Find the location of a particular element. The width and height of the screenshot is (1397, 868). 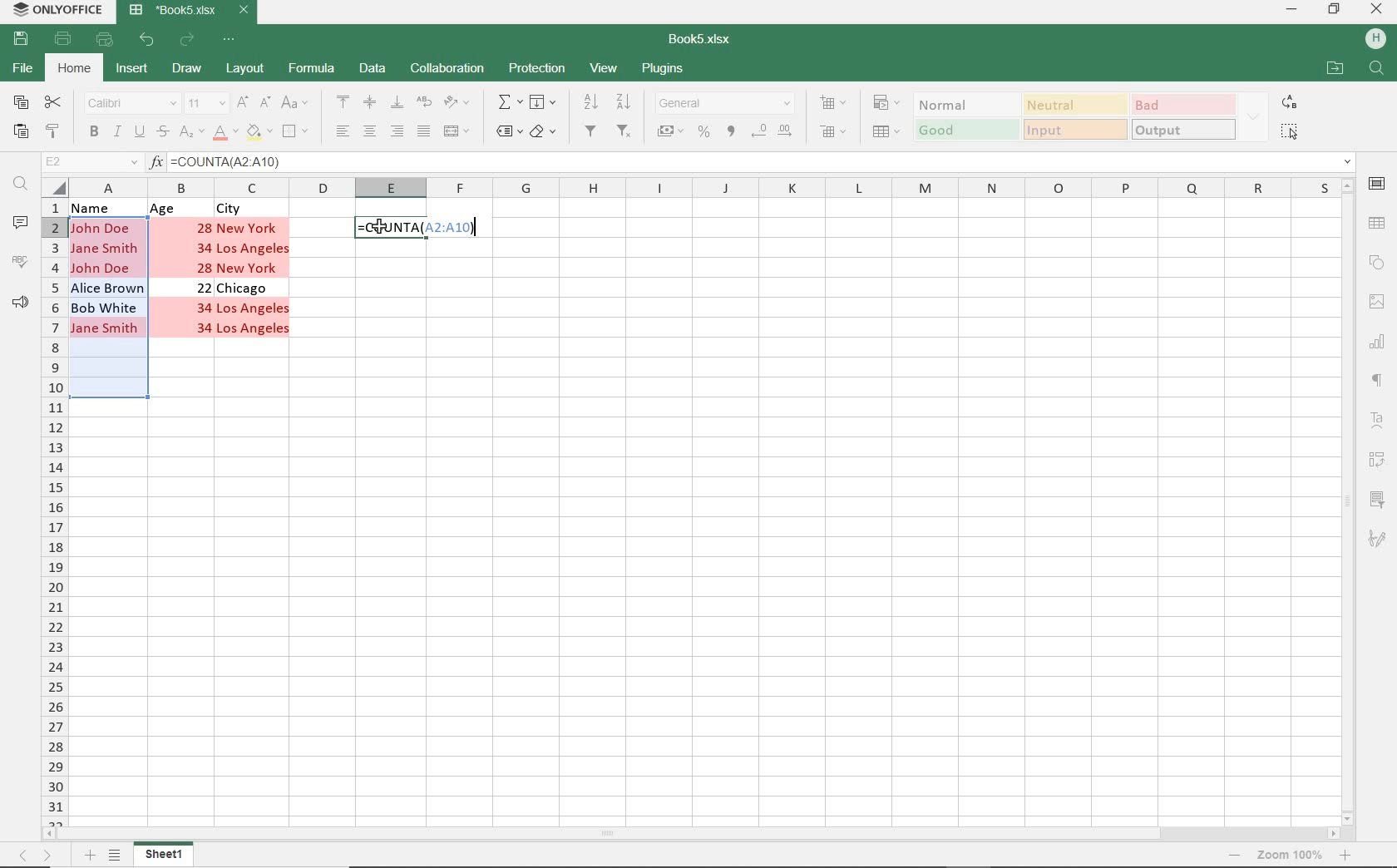

ORIENTATION is located at coordinates (462, 104).